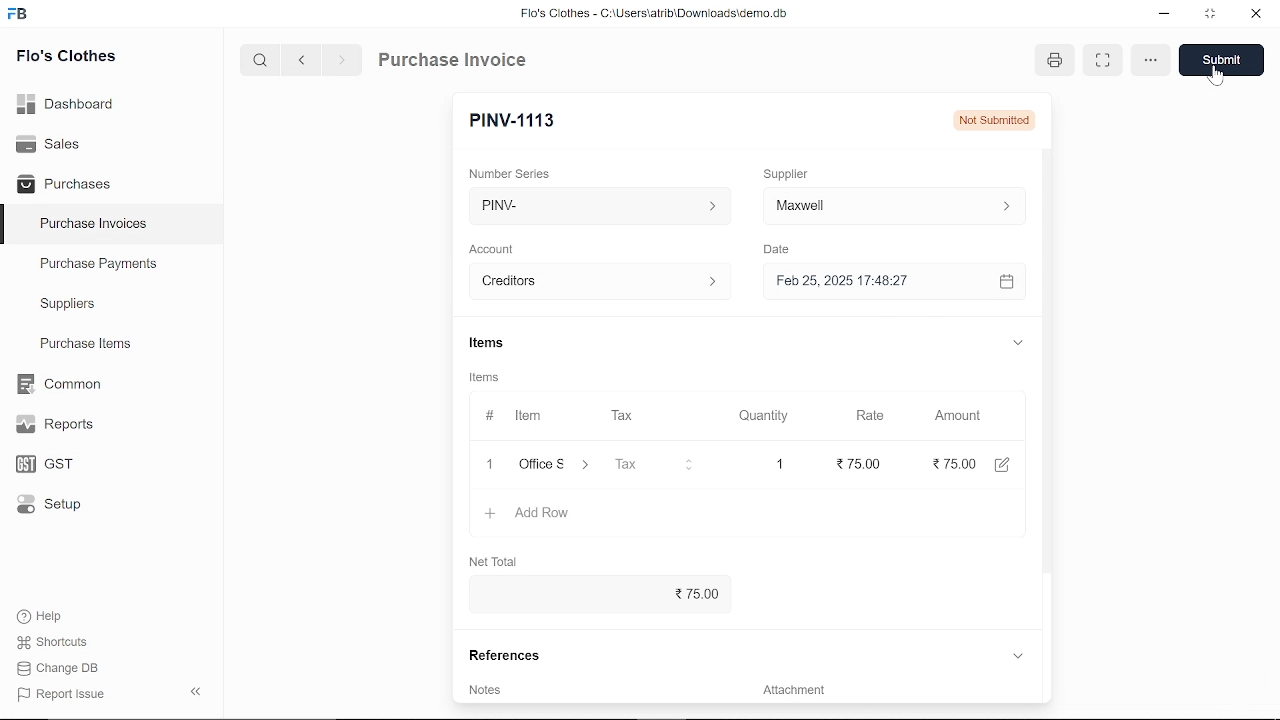 The image size is (1280, 720). Describe the element at coordinates (1254, 16) in the screenshot. I see `close` at that location.